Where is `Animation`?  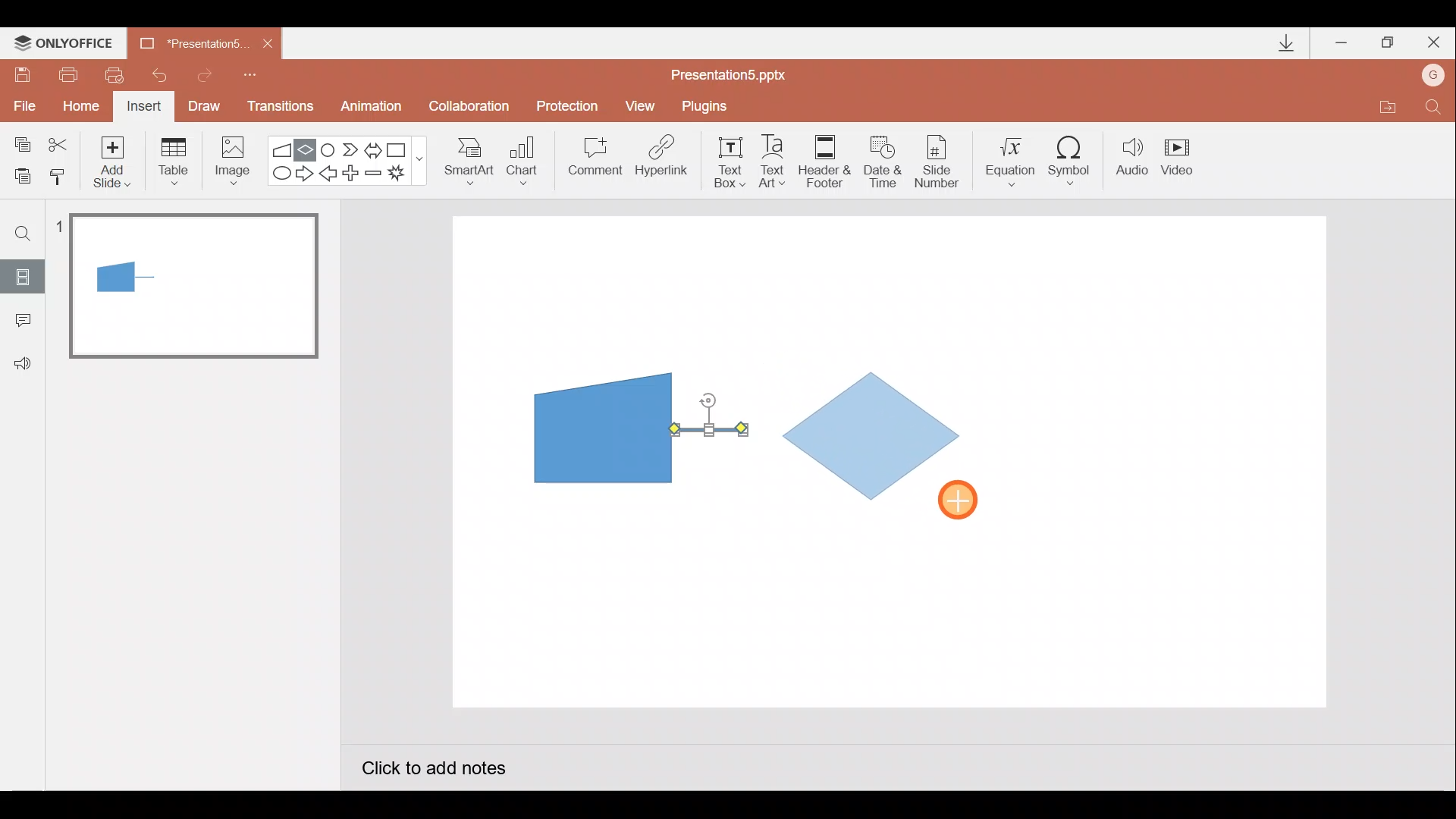 Animation is located at coordinates (373, 108).